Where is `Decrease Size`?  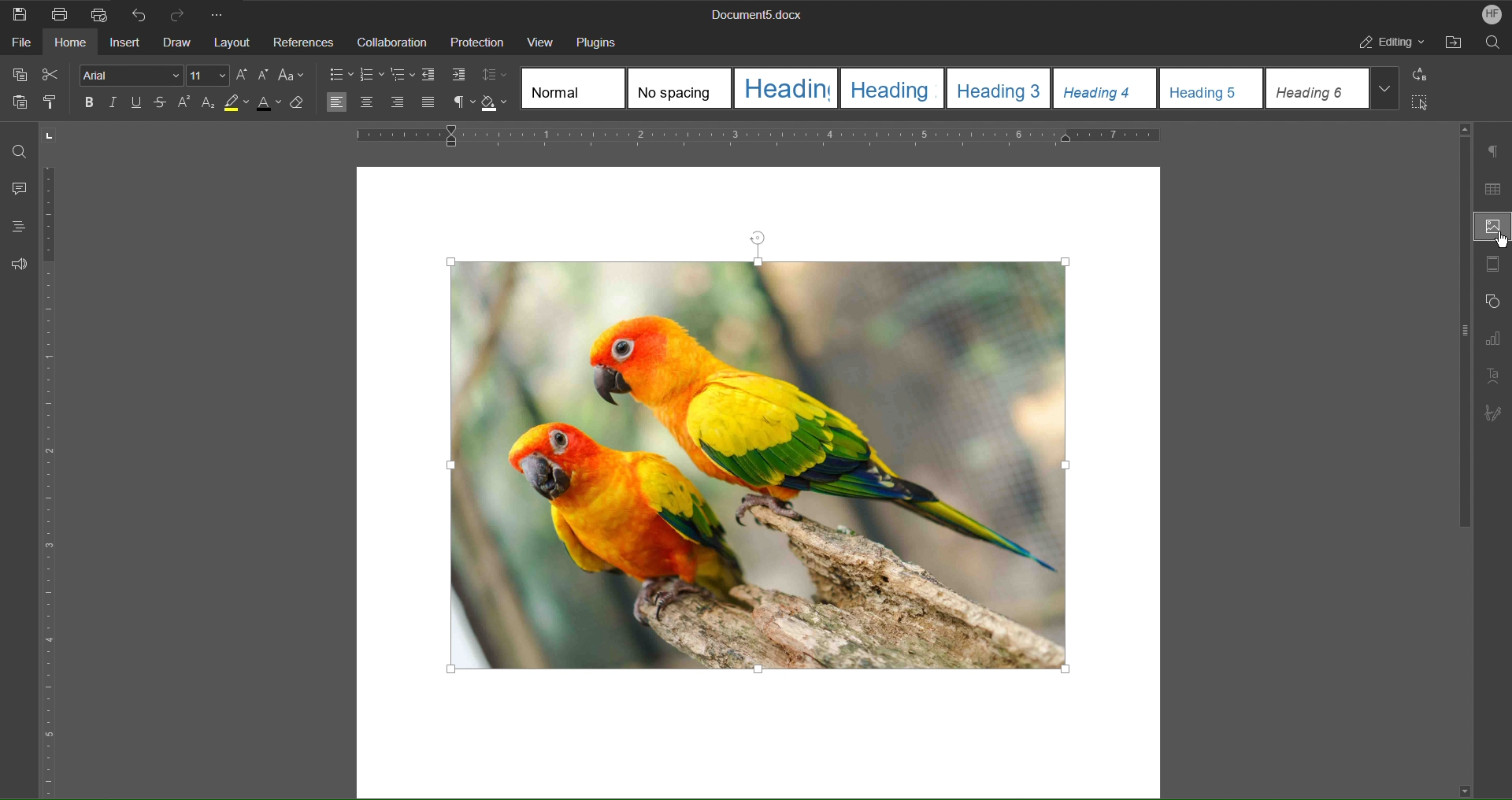 Decrease Size is located at coordinates (266, 76).